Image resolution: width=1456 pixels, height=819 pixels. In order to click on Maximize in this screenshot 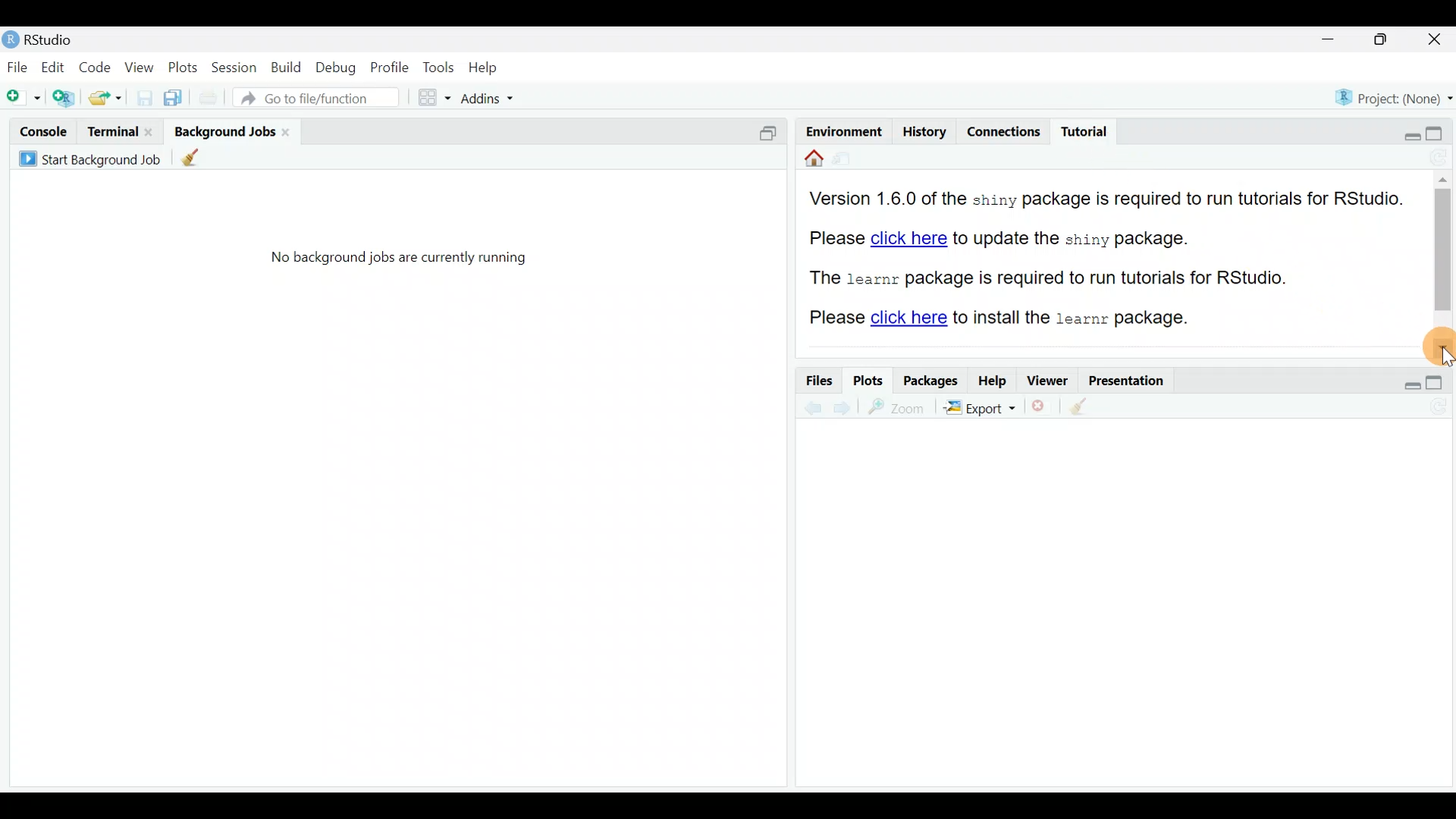, I will do `click(1439, 131)`.